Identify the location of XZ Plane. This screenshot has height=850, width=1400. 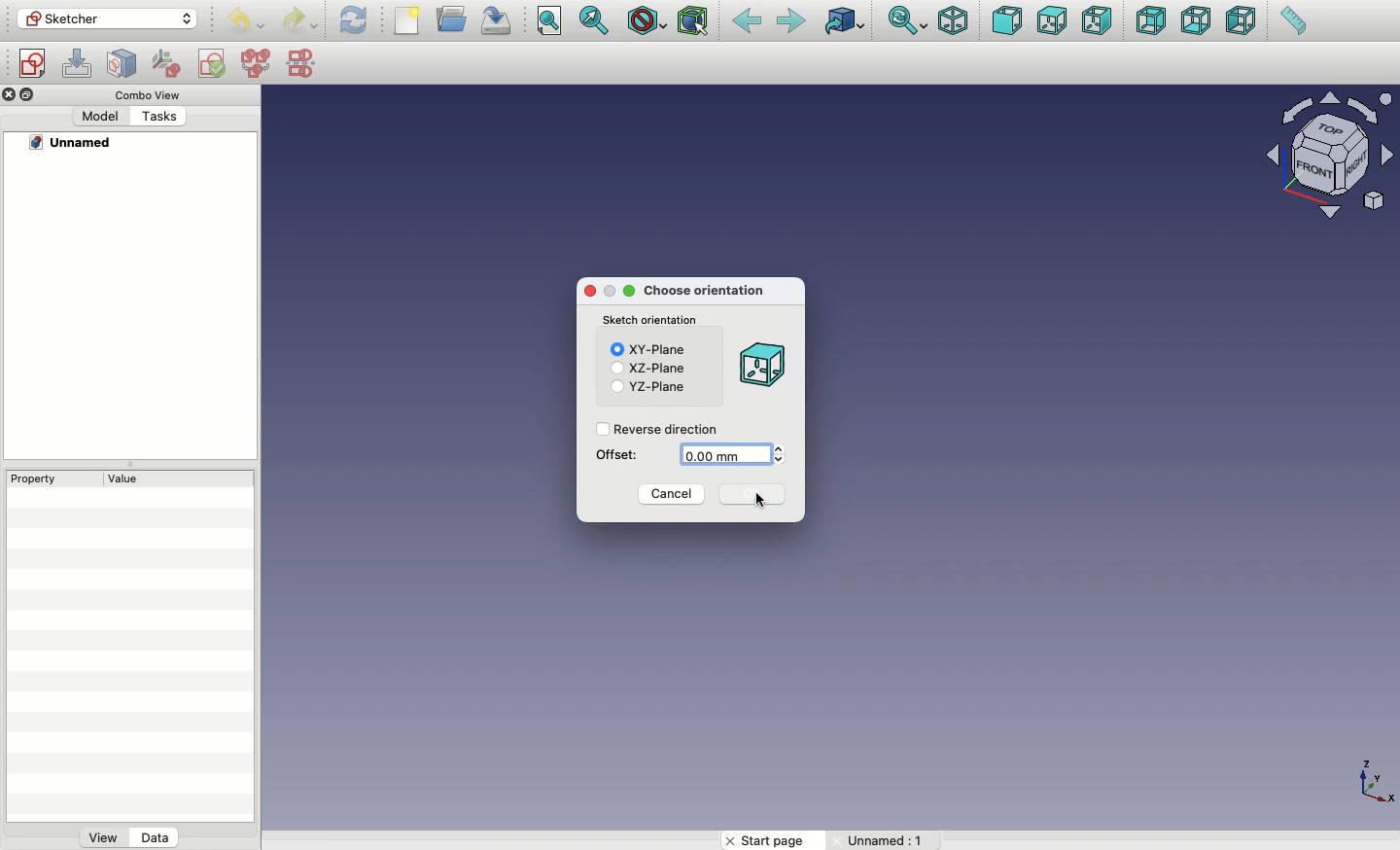
(646, 369).